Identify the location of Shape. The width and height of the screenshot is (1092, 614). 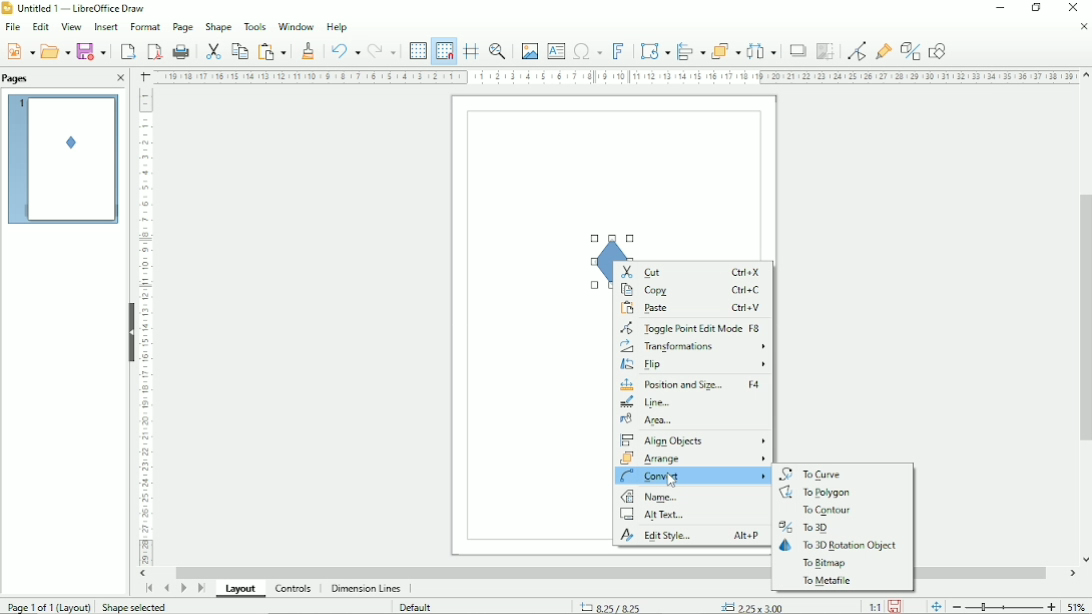
(218, 25).